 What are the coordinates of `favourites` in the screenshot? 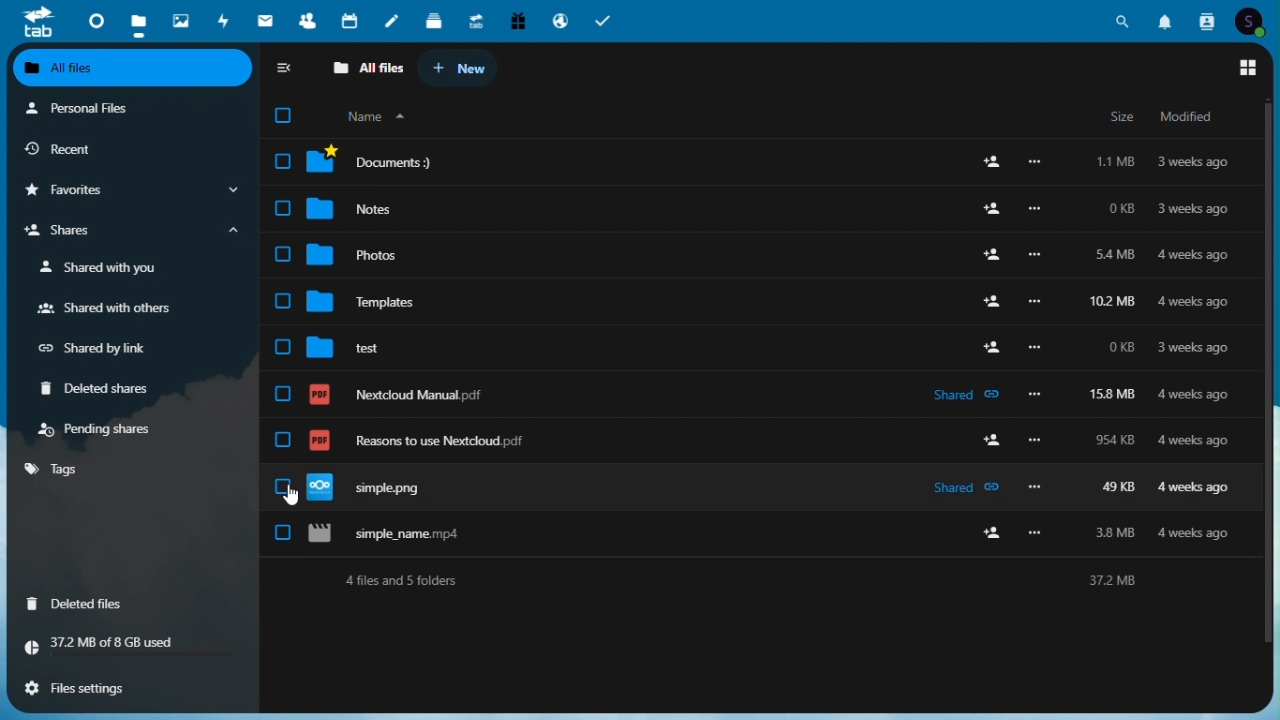 It's located at (129, 191).